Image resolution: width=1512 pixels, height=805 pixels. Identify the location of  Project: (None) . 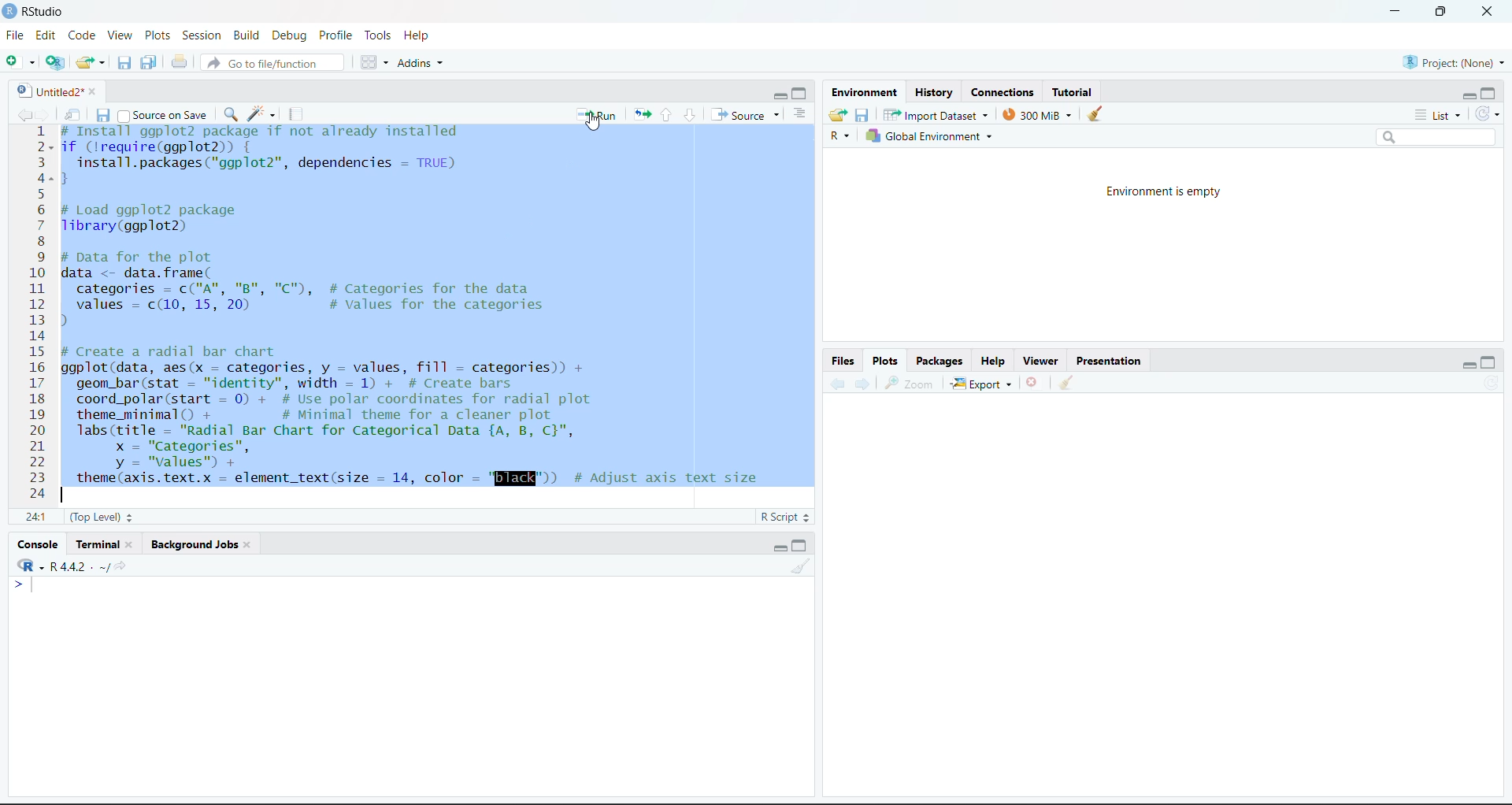
(1452, 61).